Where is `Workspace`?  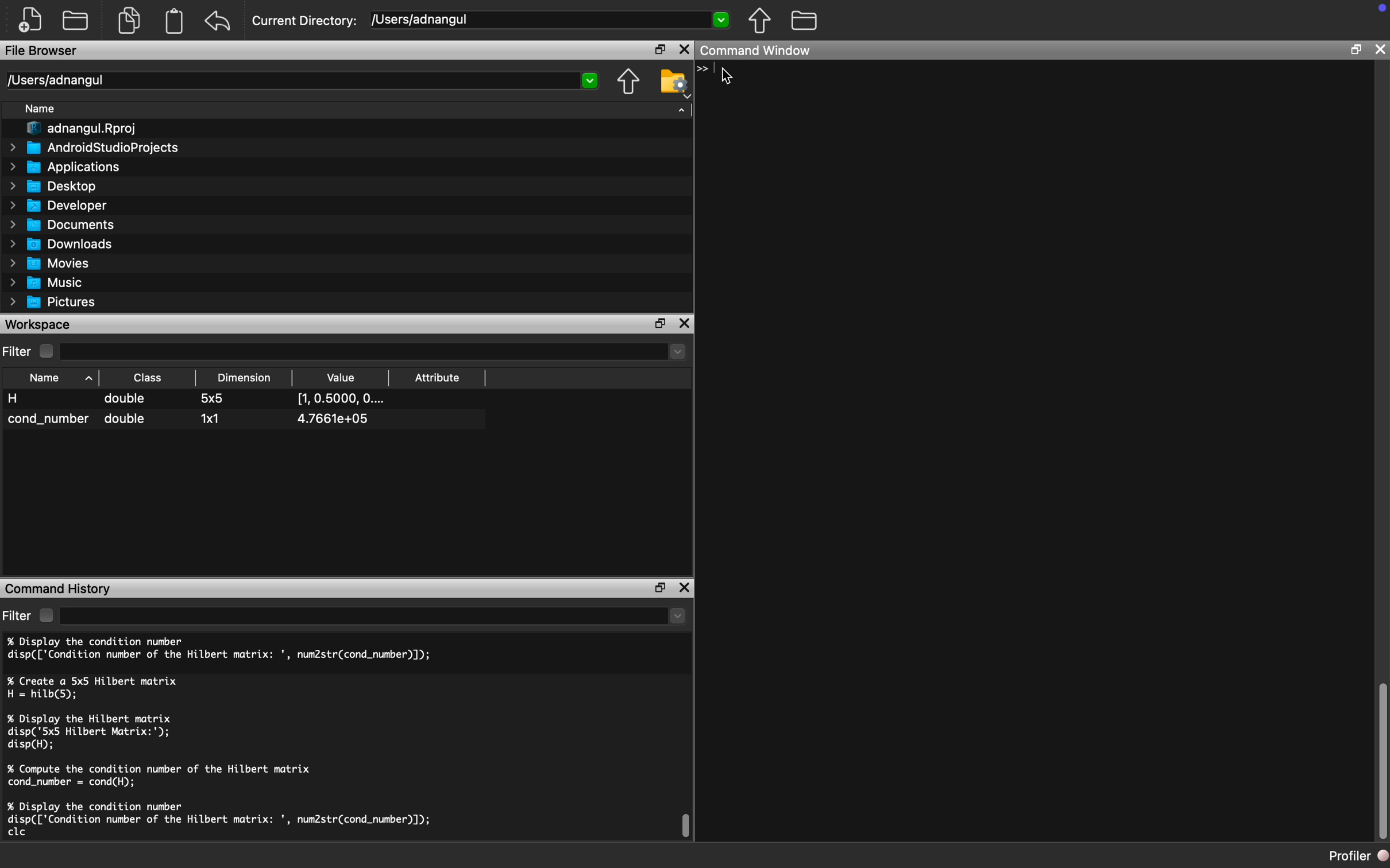
Workspace is located at coordinates (41, 324).